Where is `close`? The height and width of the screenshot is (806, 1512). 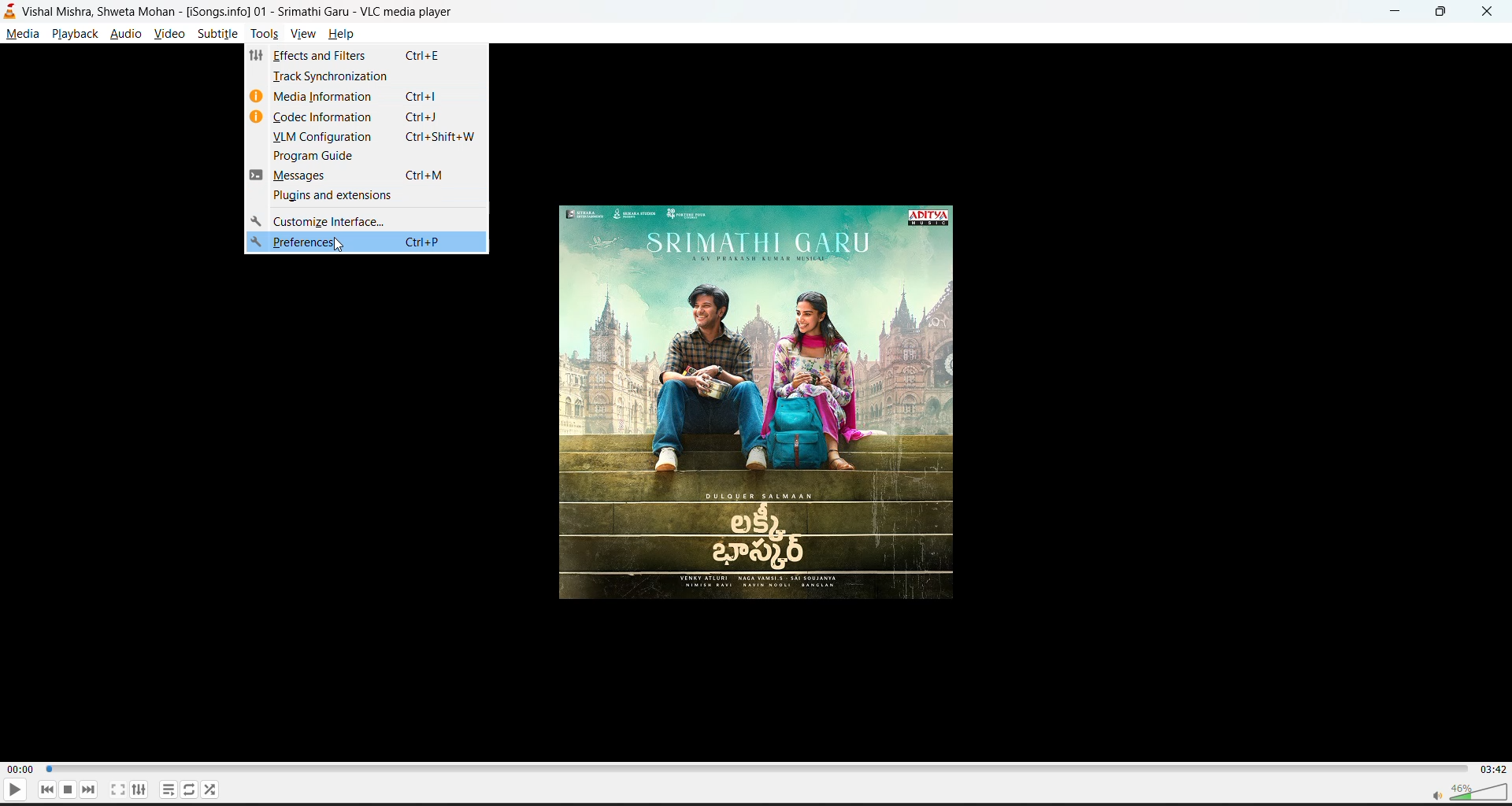 close is located at coordinates (1488, 14).